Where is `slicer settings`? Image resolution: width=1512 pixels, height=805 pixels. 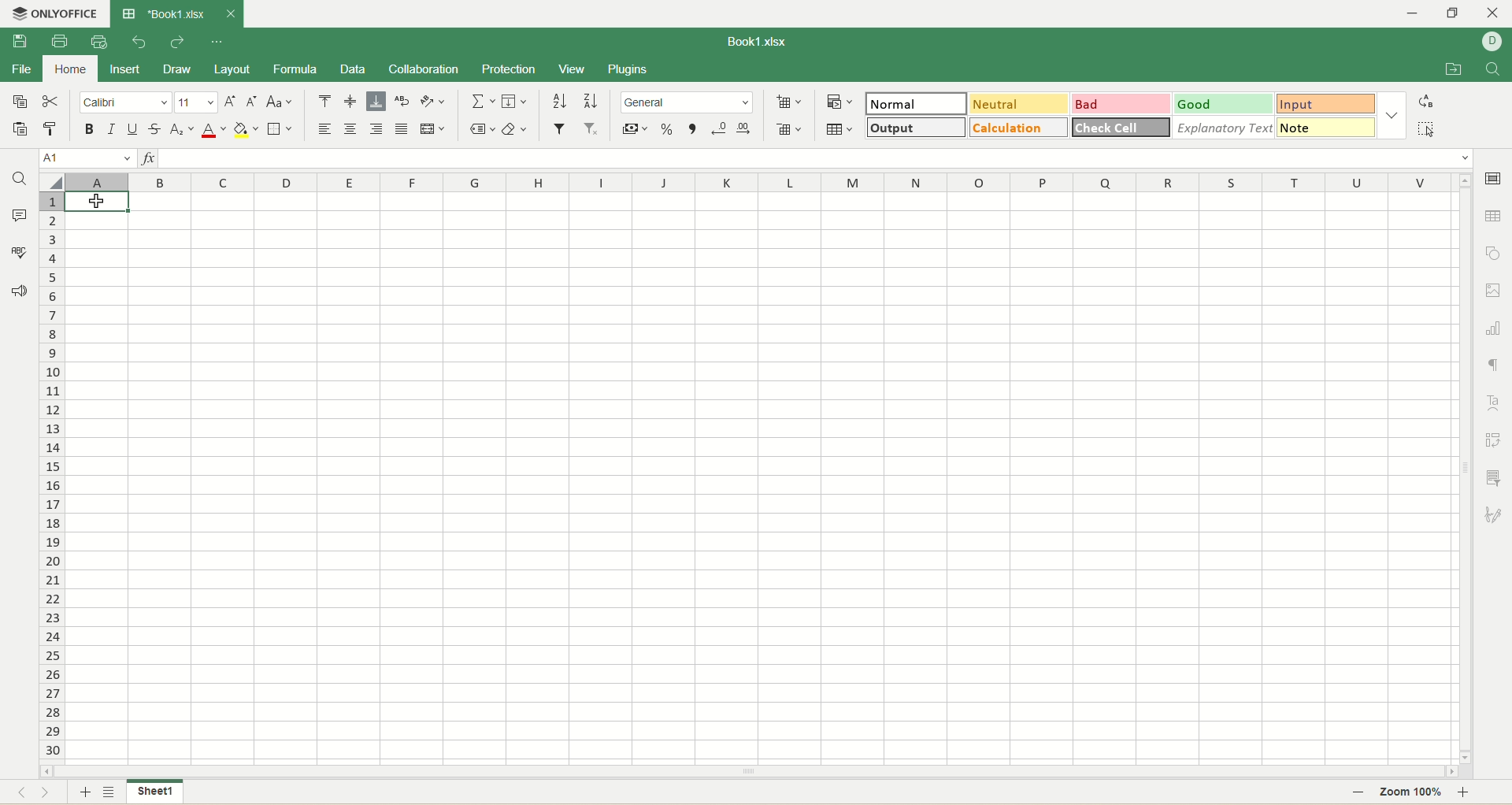
slicer settings is located at coordinates (1496, 478).